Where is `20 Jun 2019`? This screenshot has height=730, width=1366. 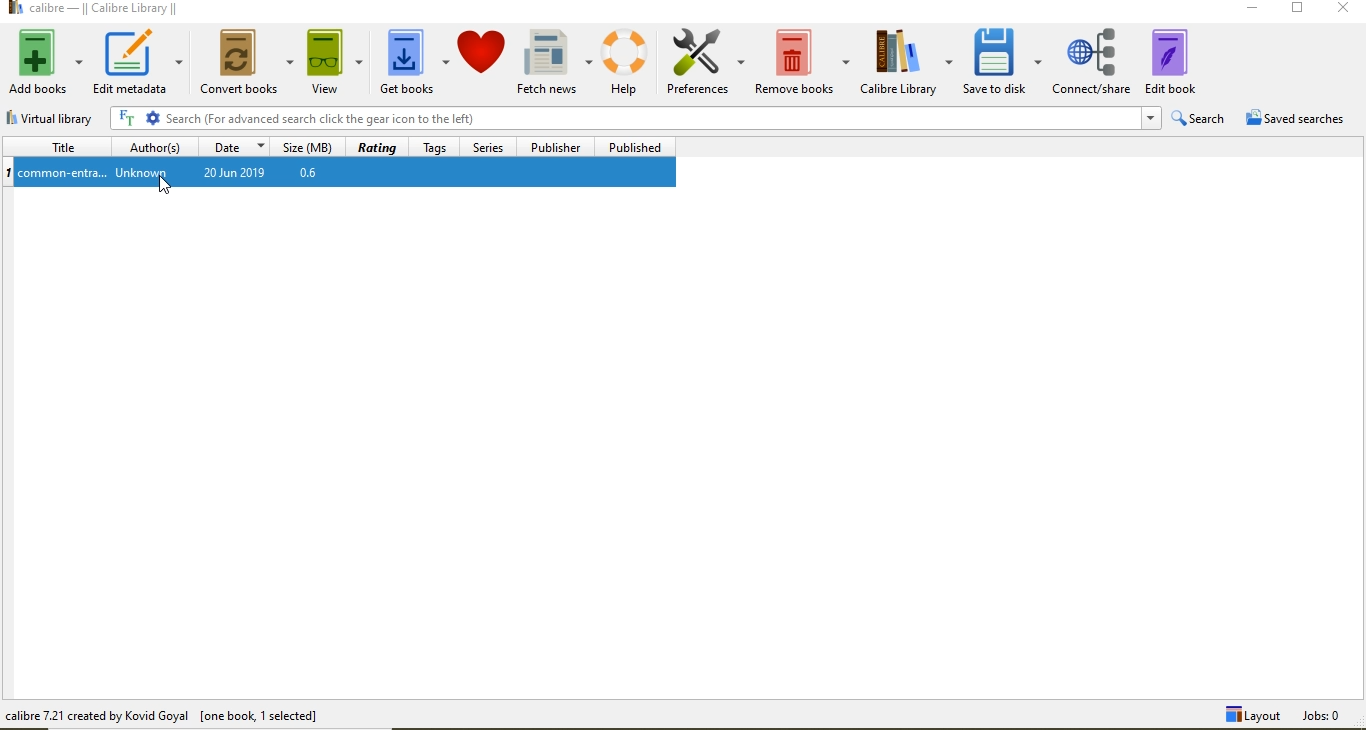
20 Jun 2019 is located at coordinates (234, 174).